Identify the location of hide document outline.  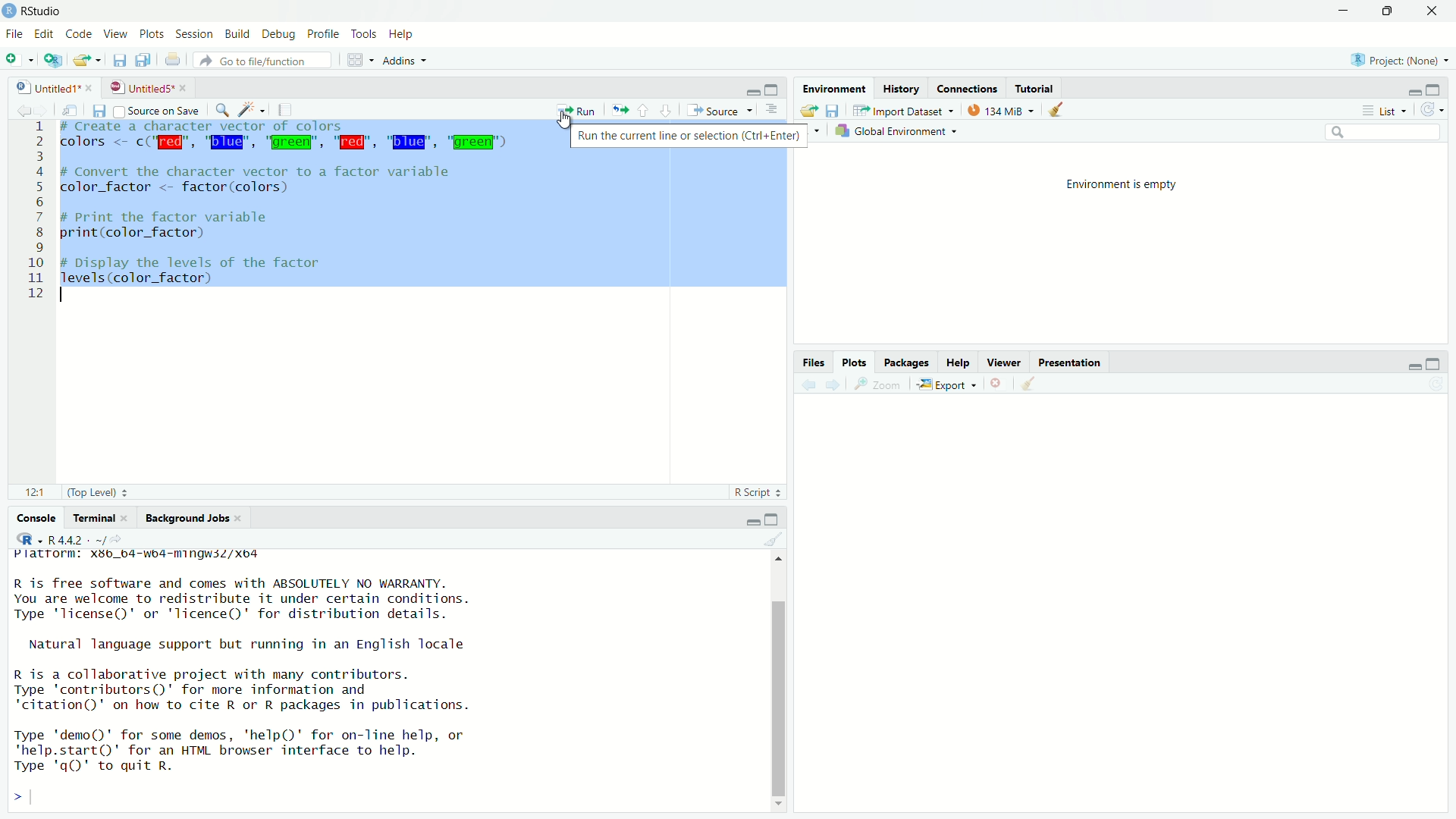
(771, 109).